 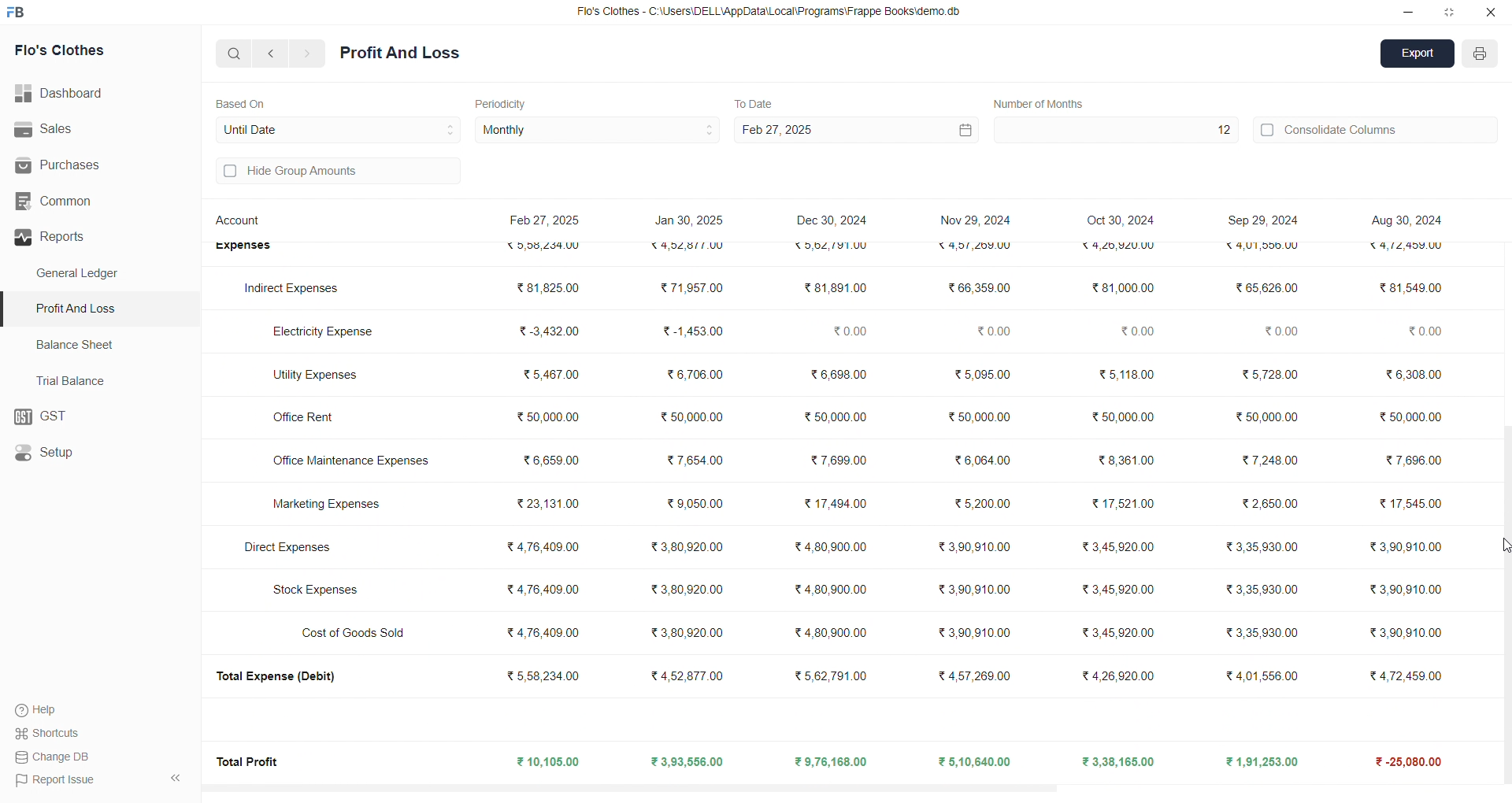 I want to click on ₹50,000.00, so click(x=543, y=419).